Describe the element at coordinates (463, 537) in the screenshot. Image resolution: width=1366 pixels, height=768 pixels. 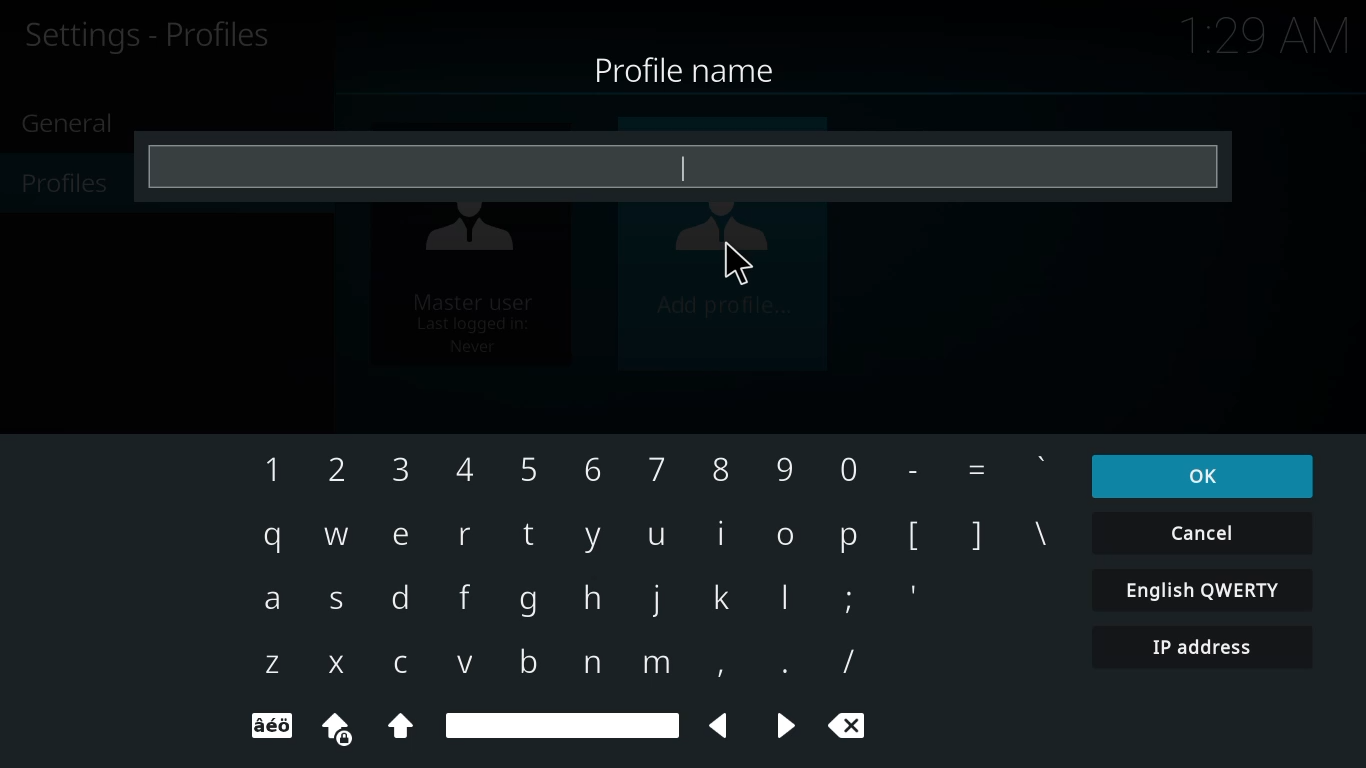
I see `r` at that location.